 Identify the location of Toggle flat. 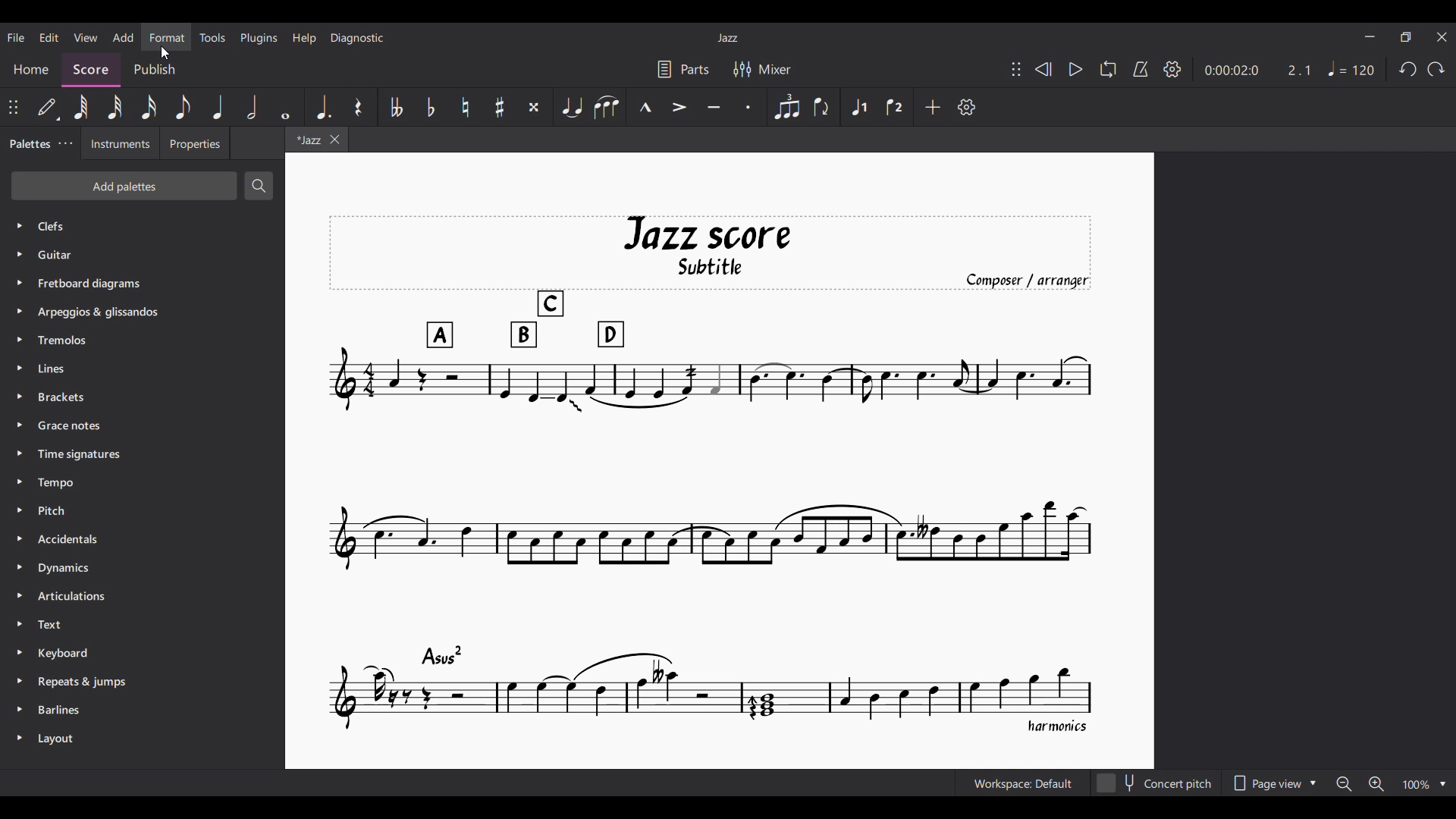
(431, 106).